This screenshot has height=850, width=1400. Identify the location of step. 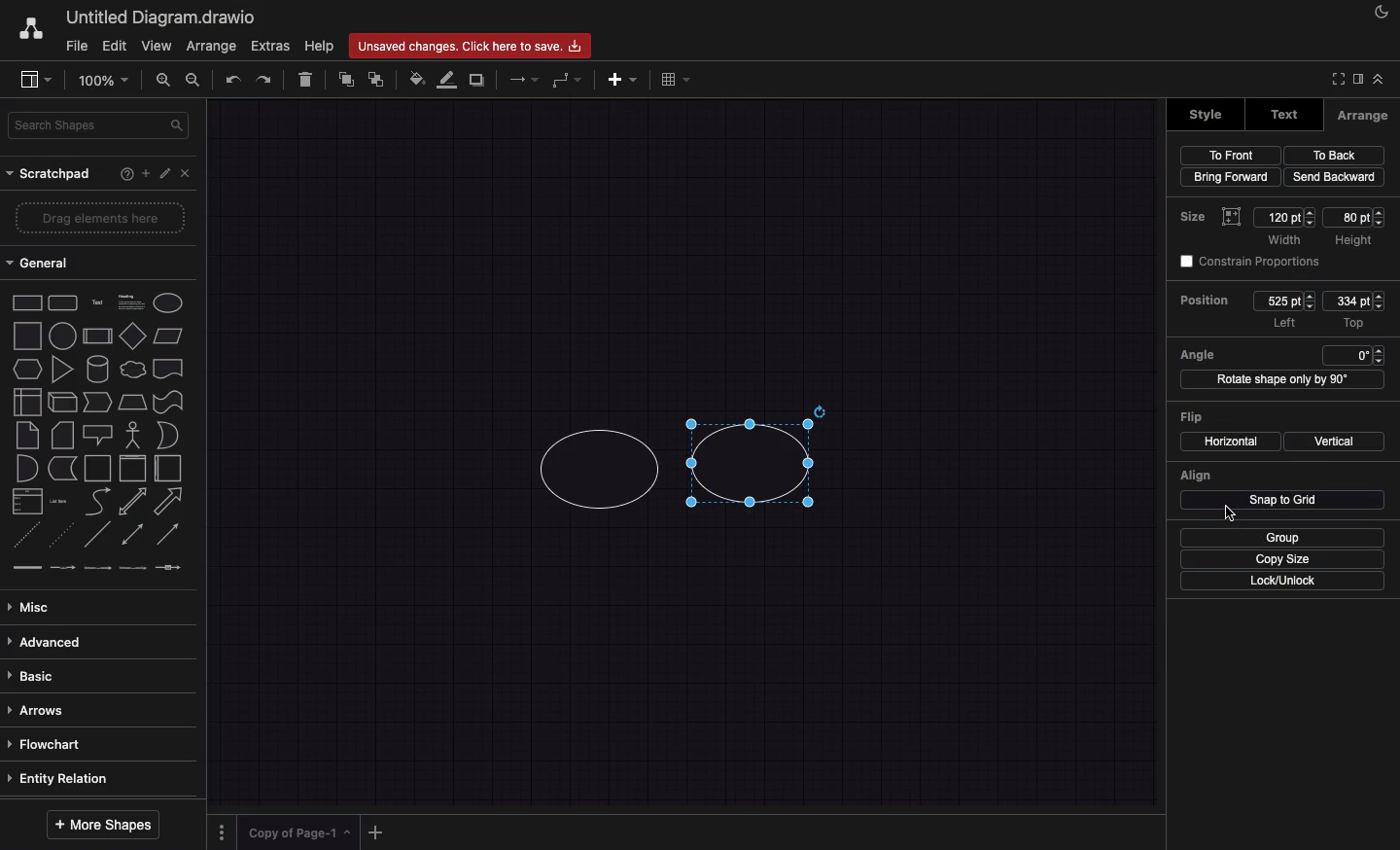
(97, 402).